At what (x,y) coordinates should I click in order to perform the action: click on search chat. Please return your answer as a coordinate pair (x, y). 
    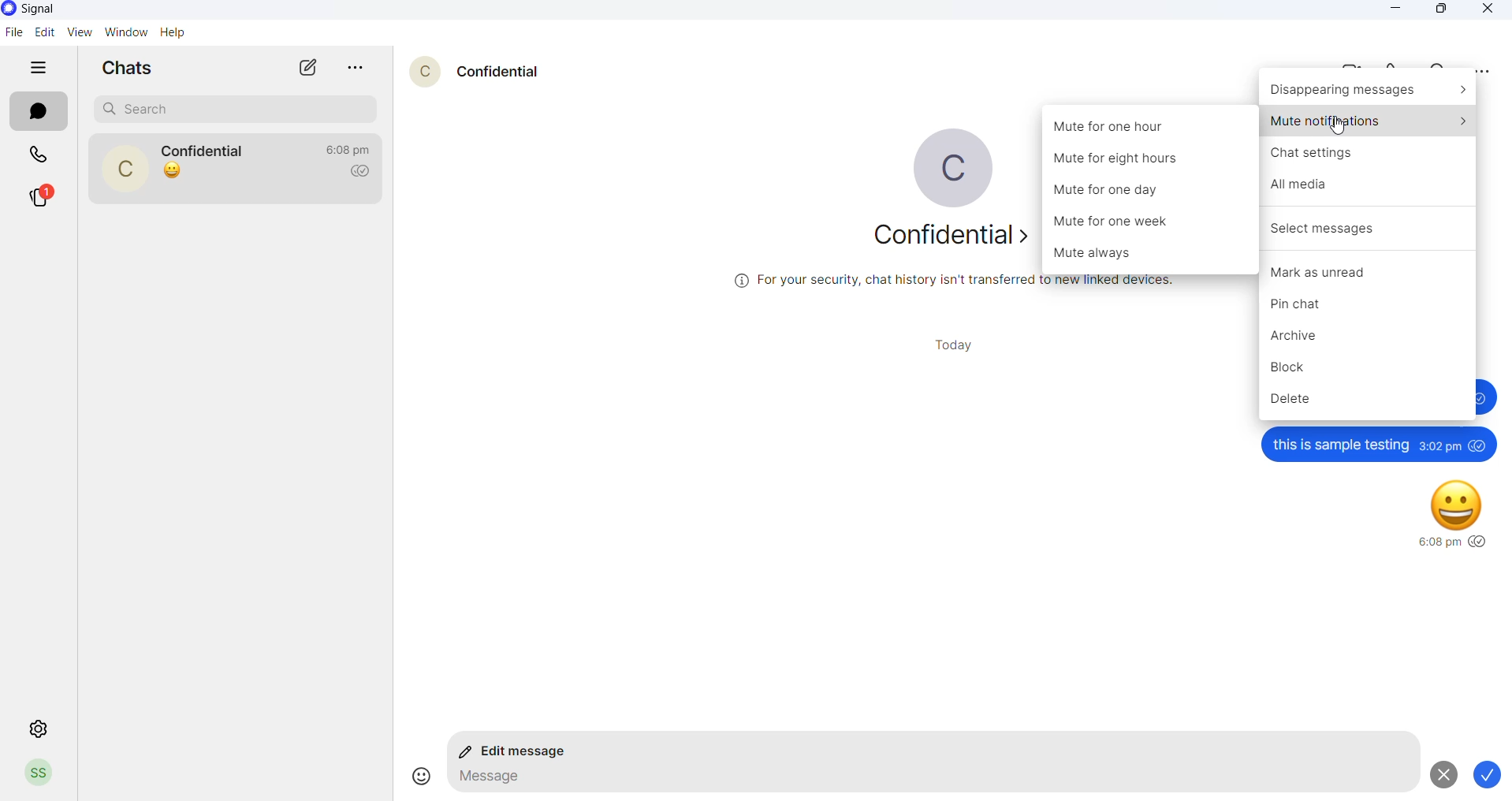
    Looking at the image, I should click on (235, 108).